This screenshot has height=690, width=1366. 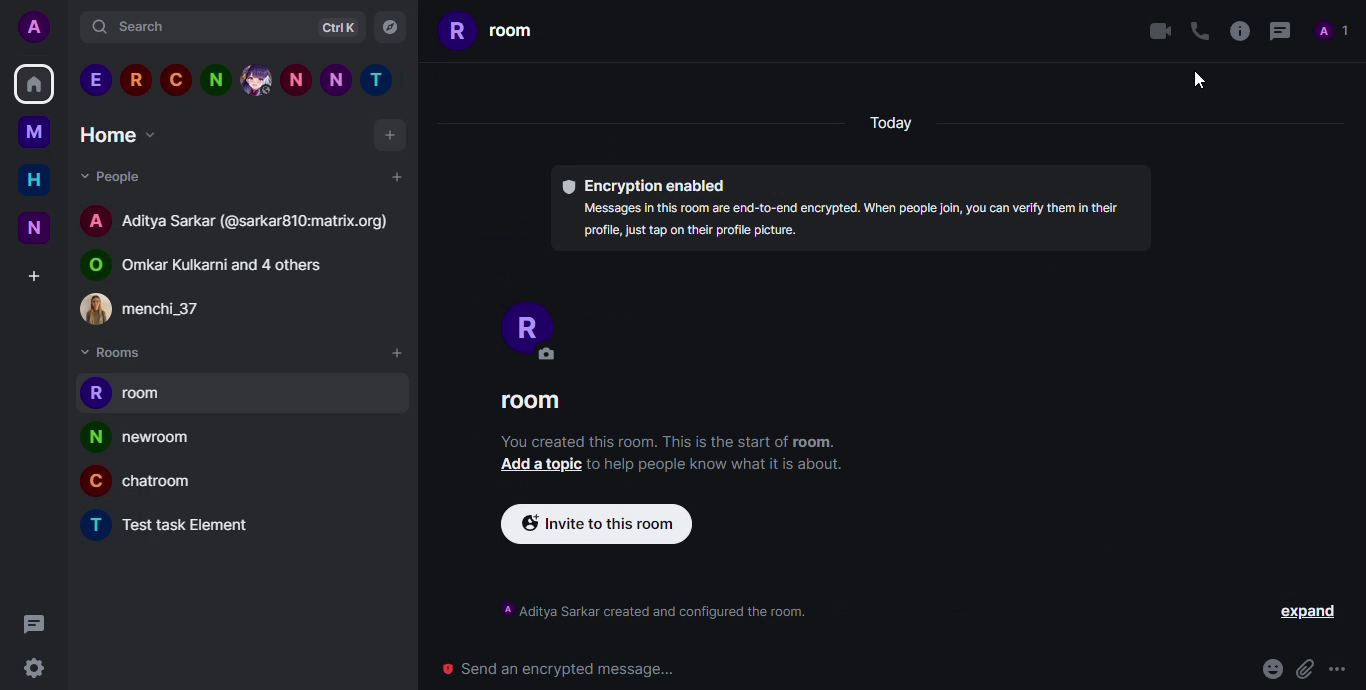 I want to click on room, so click(x=197, y=526).